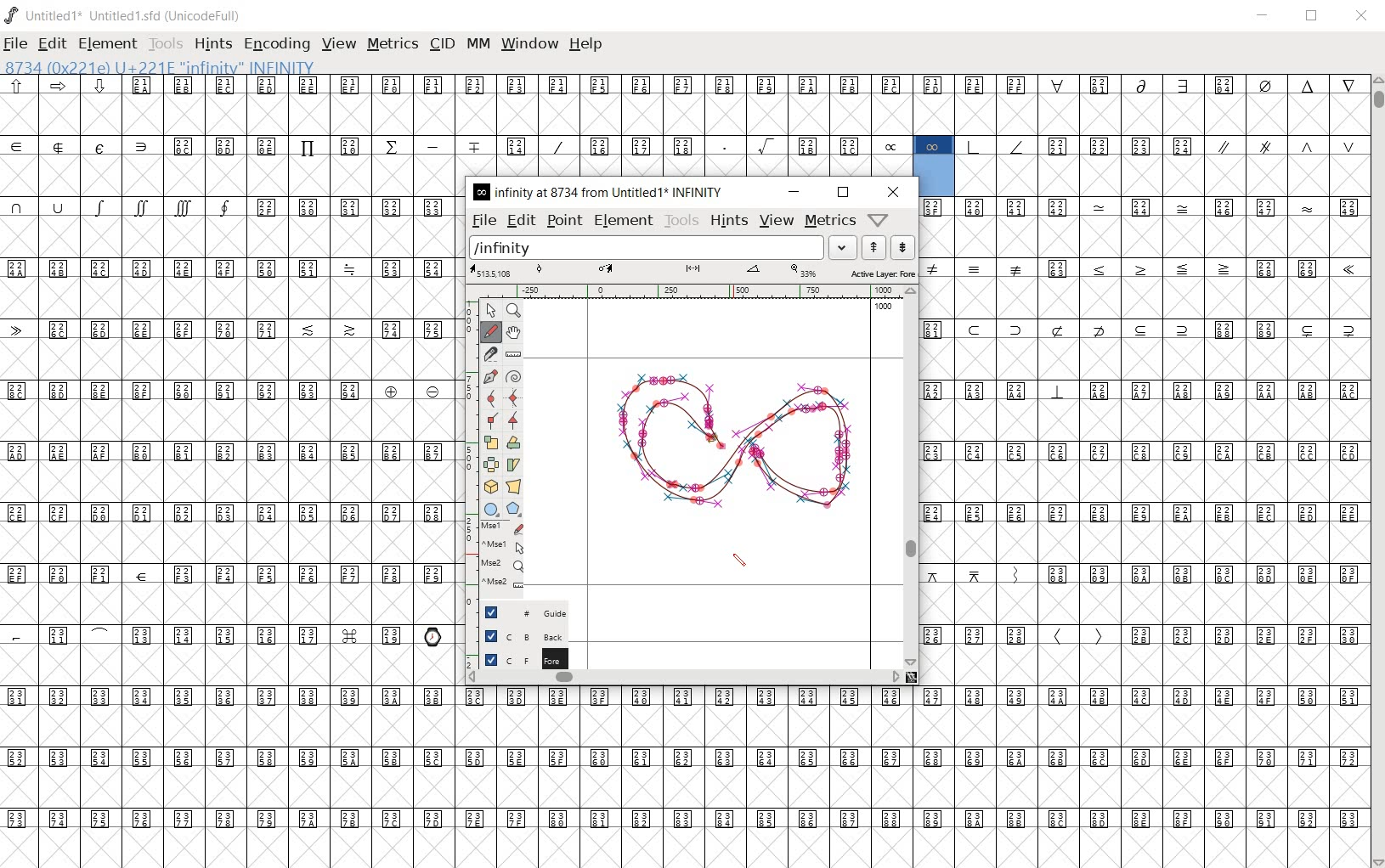 The image size is (1385, 868). I want to click on guide, so click(516, 614).